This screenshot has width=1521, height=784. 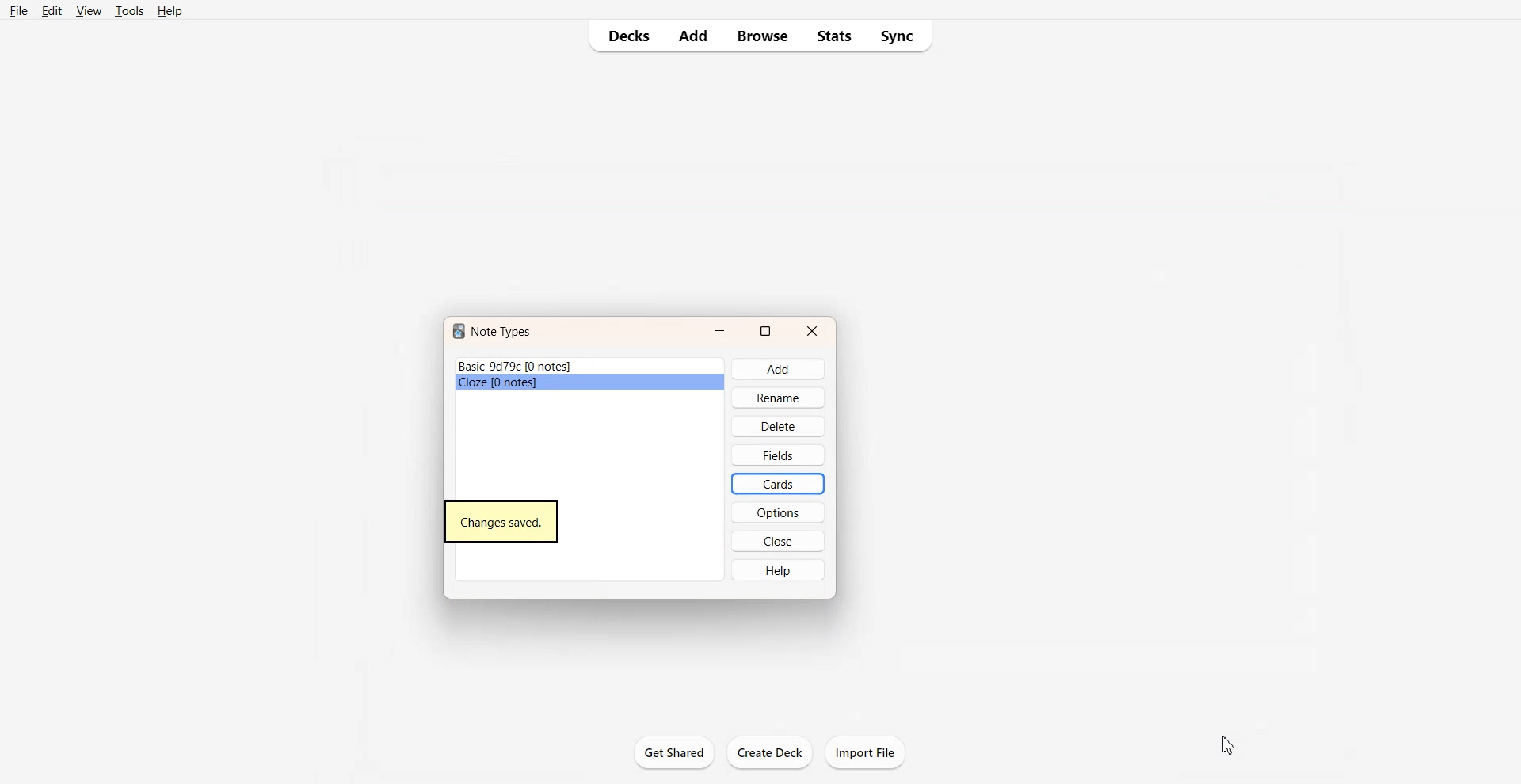 What do you see at coordinates (498, 332) in the screenshot?
I see `note types` at bounding box center [498, 332].